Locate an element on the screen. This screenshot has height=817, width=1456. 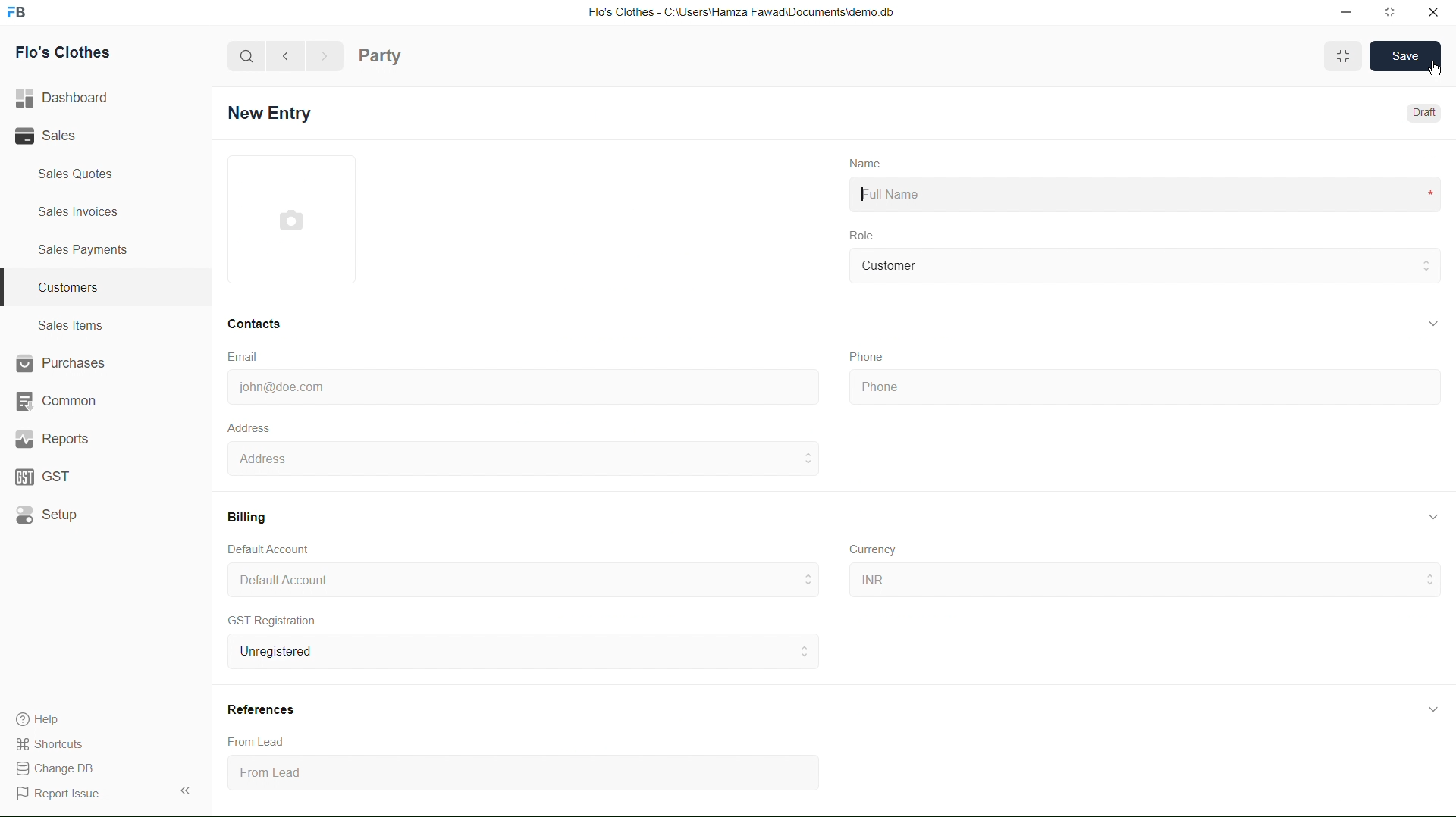
Currency is located at coordinates (874, 549).